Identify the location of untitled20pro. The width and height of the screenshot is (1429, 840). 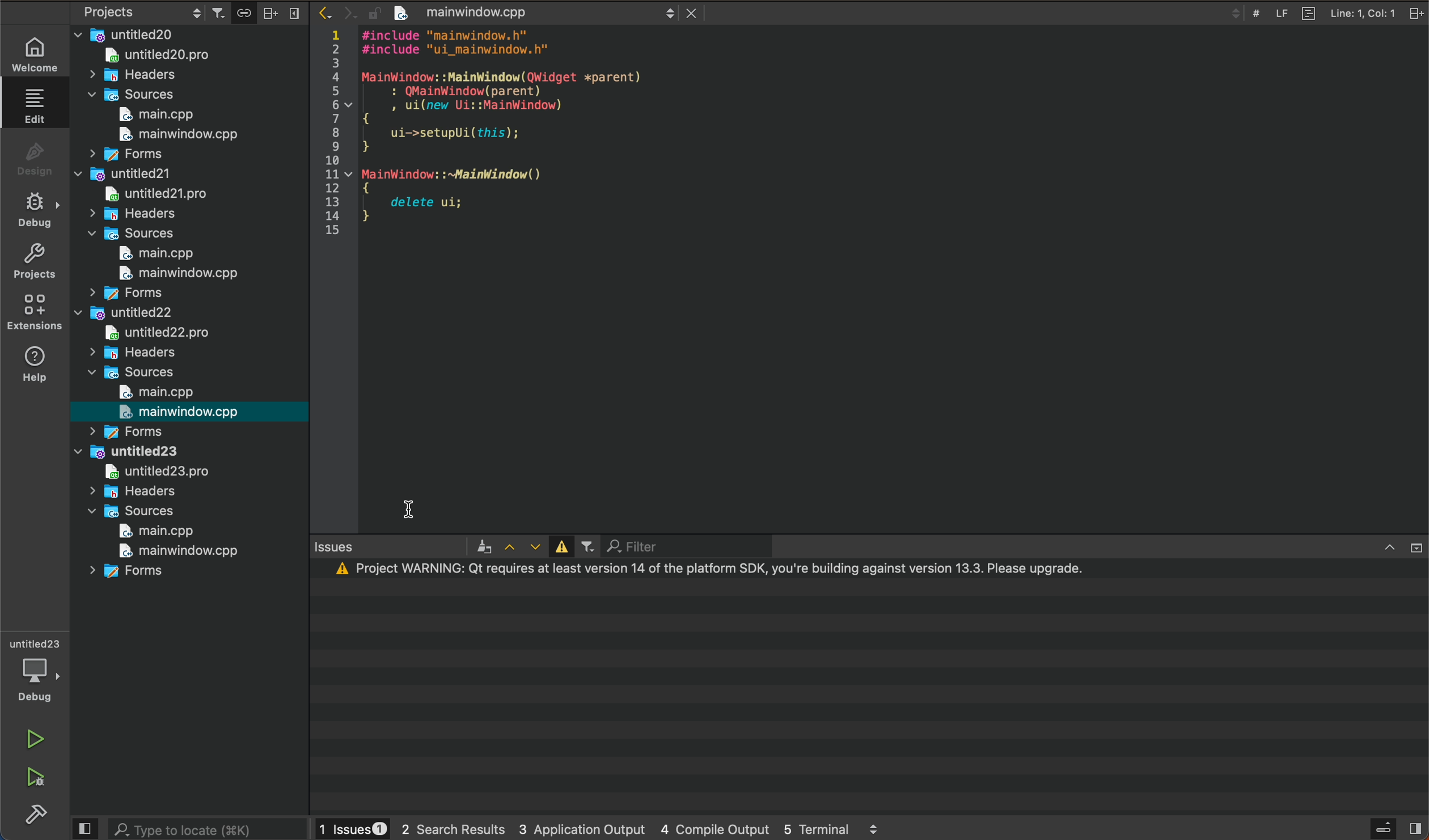
(152, 193).